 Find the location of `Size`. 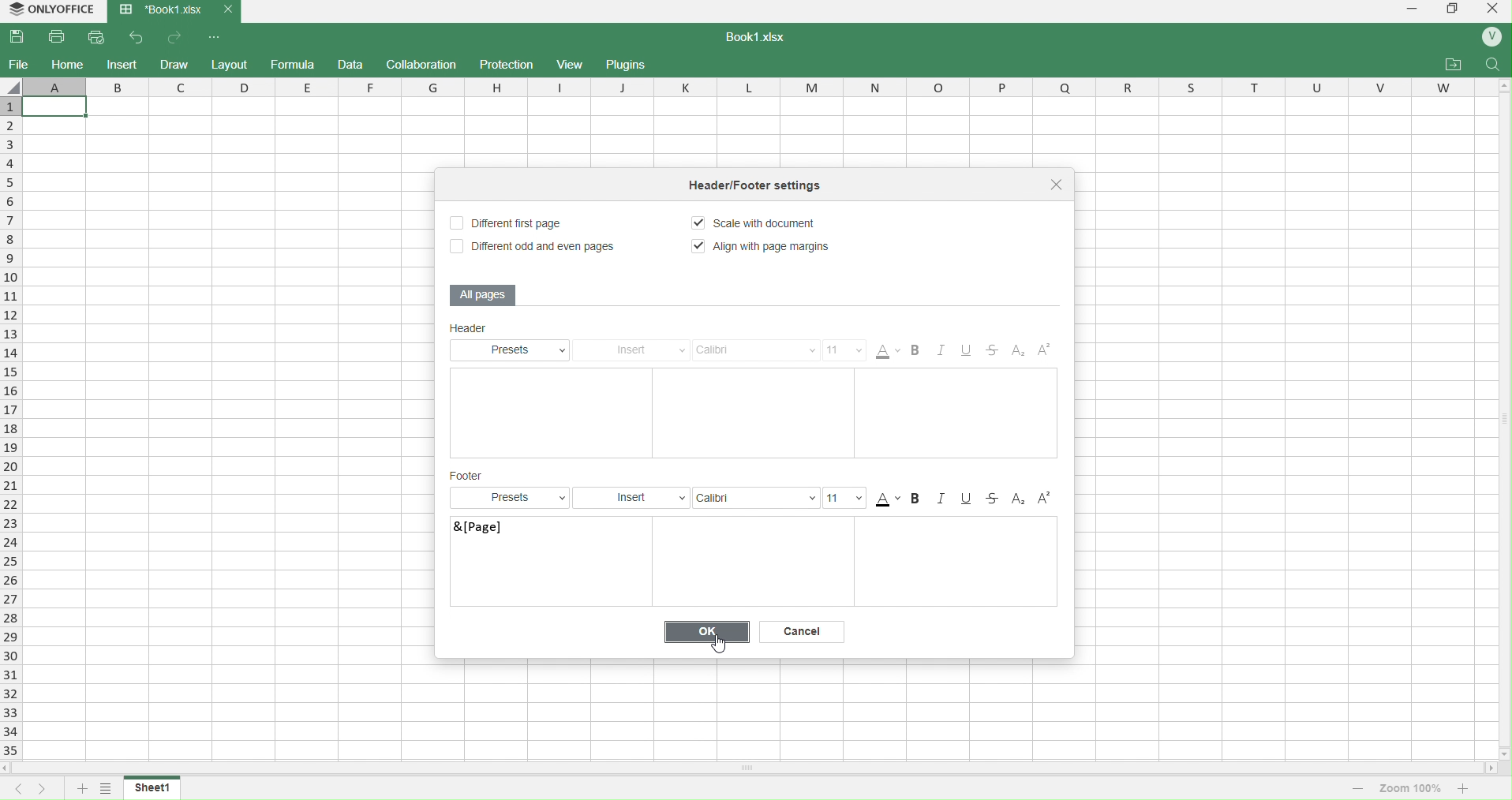

Size is located at coordinates (847, 498).